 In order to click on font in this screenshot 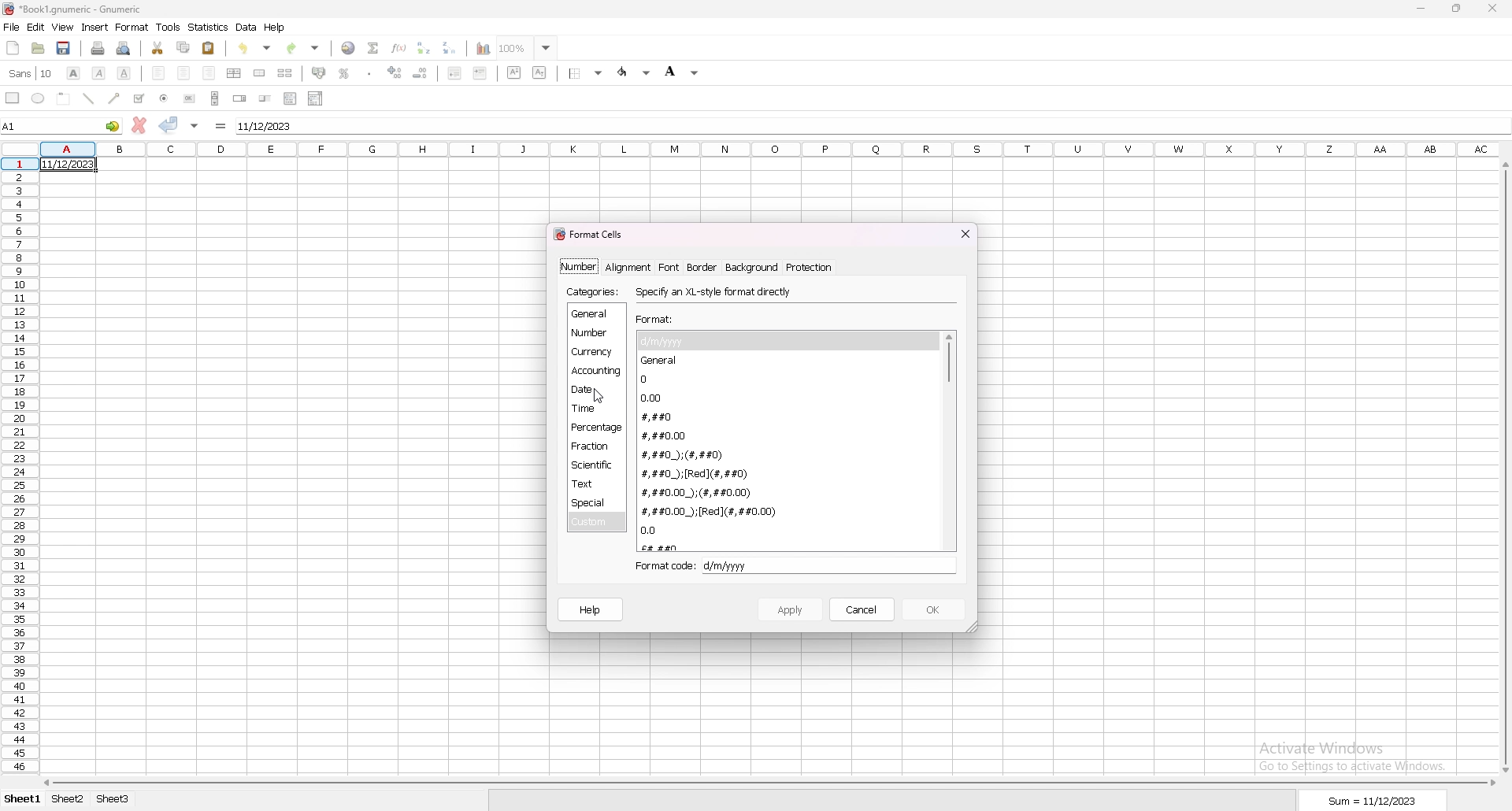, I will do `click(670, 267)`.